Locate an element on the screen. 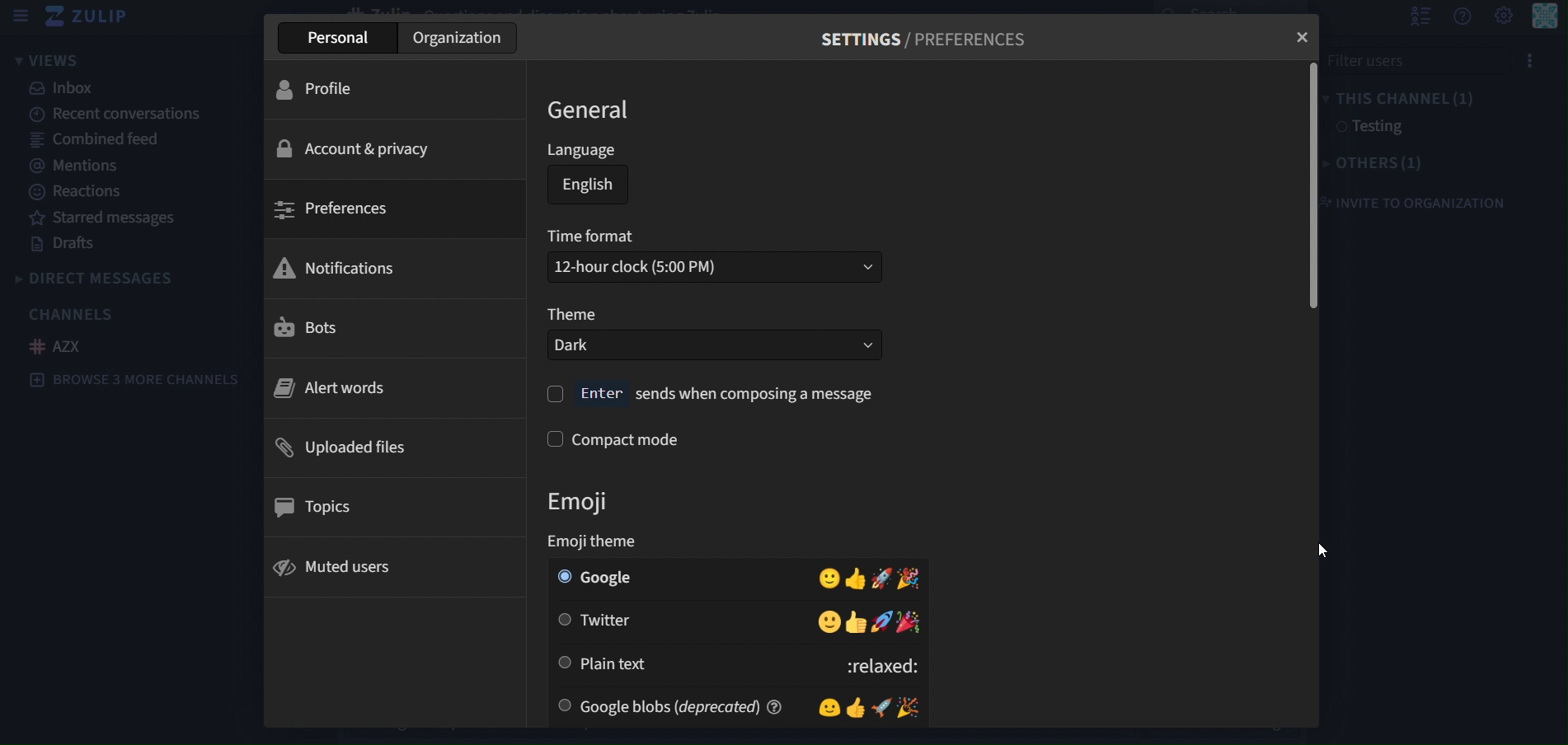 This screenshot has width=1568, height=745. general is located at coordinates (591, 110).